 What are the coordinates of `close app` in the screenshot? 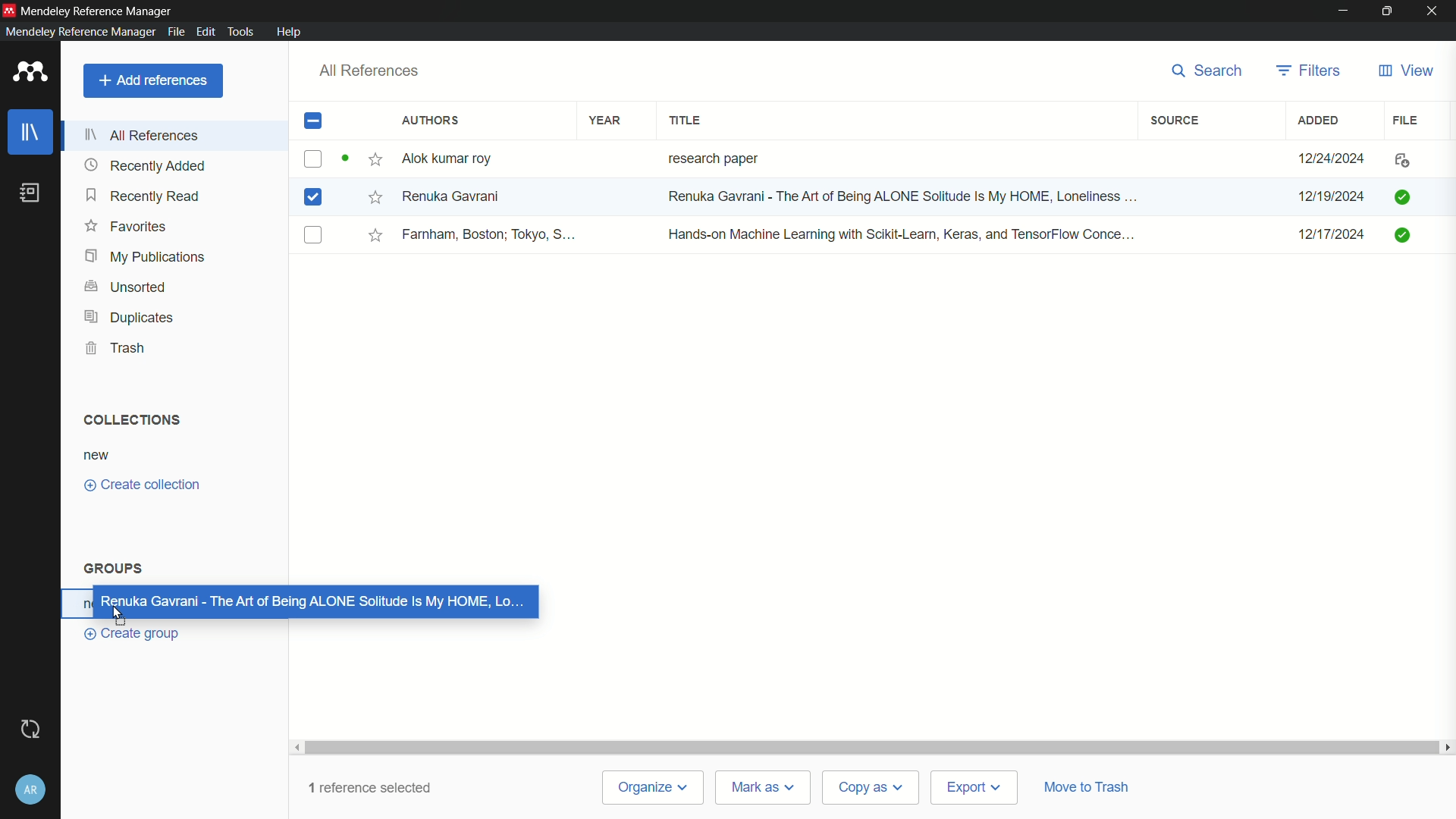 It's located at (1434, 11).